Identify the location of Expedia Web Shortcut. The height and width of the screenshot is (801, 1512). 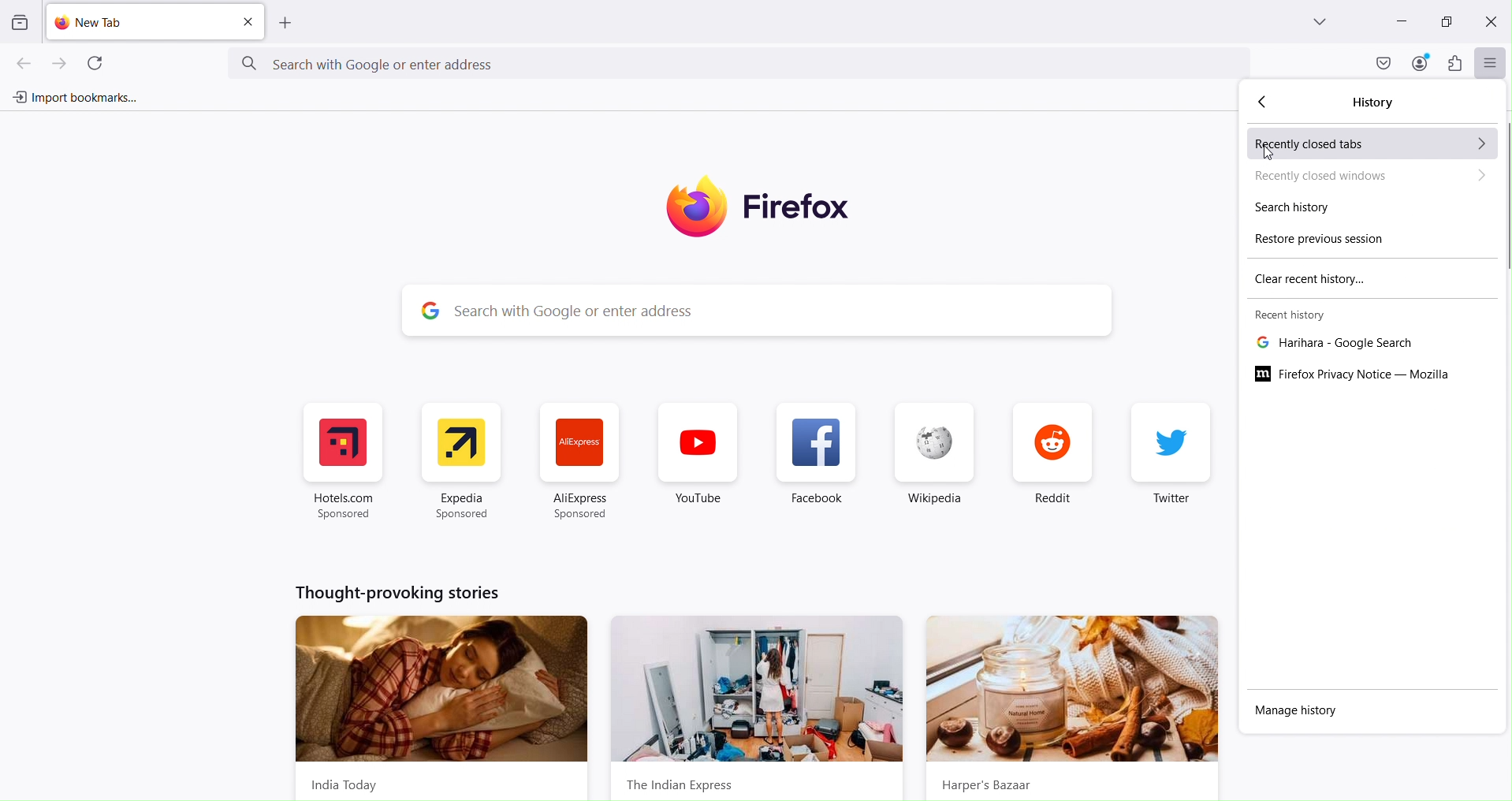
(459, 462).